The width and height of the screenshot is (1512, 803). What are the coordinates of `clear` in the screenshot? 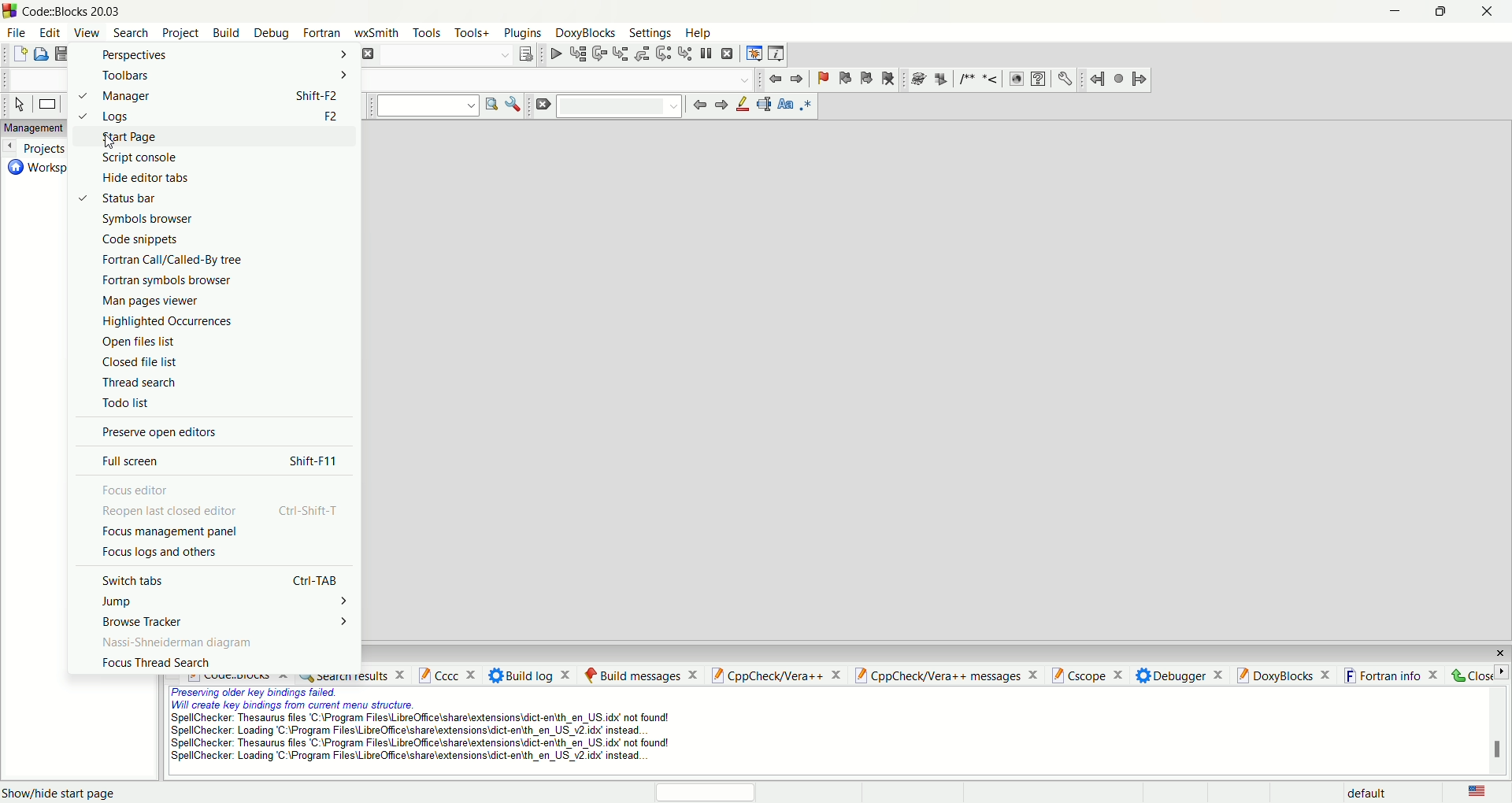 It's located at (544, 105).